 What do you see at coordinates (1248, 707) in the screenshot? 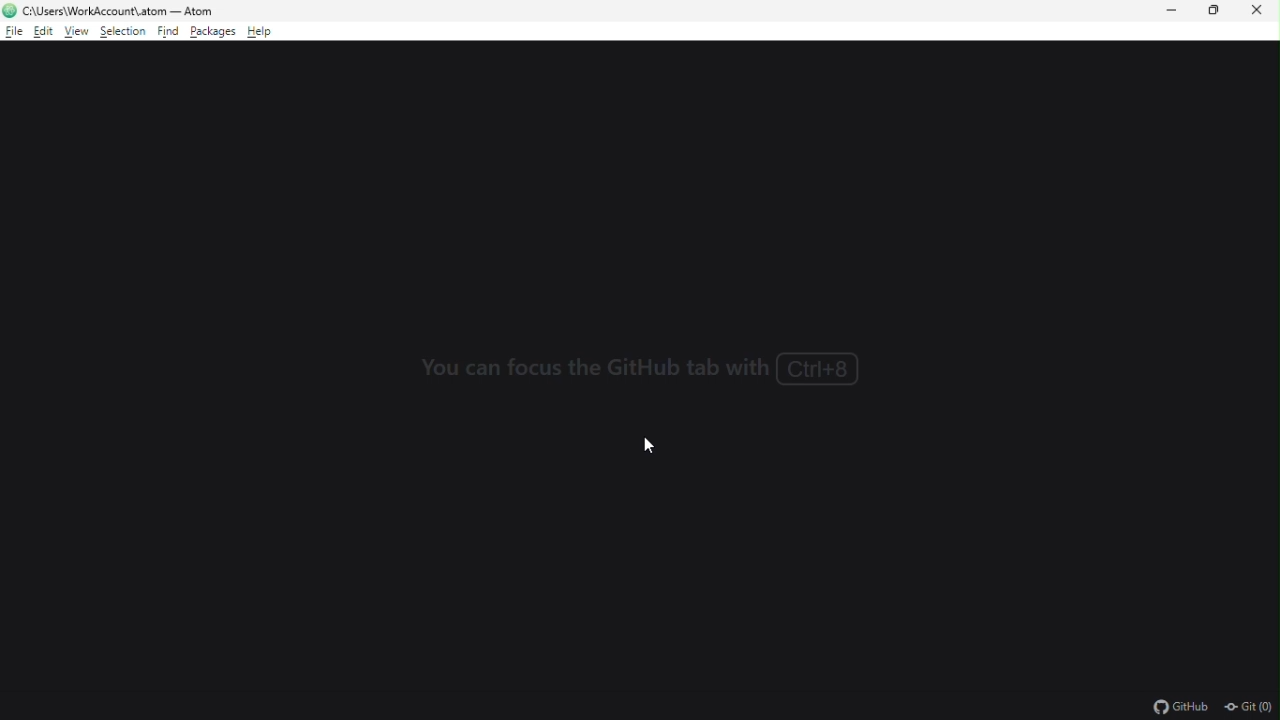
I see `Git (0)` at bounding box center [1248, 707].